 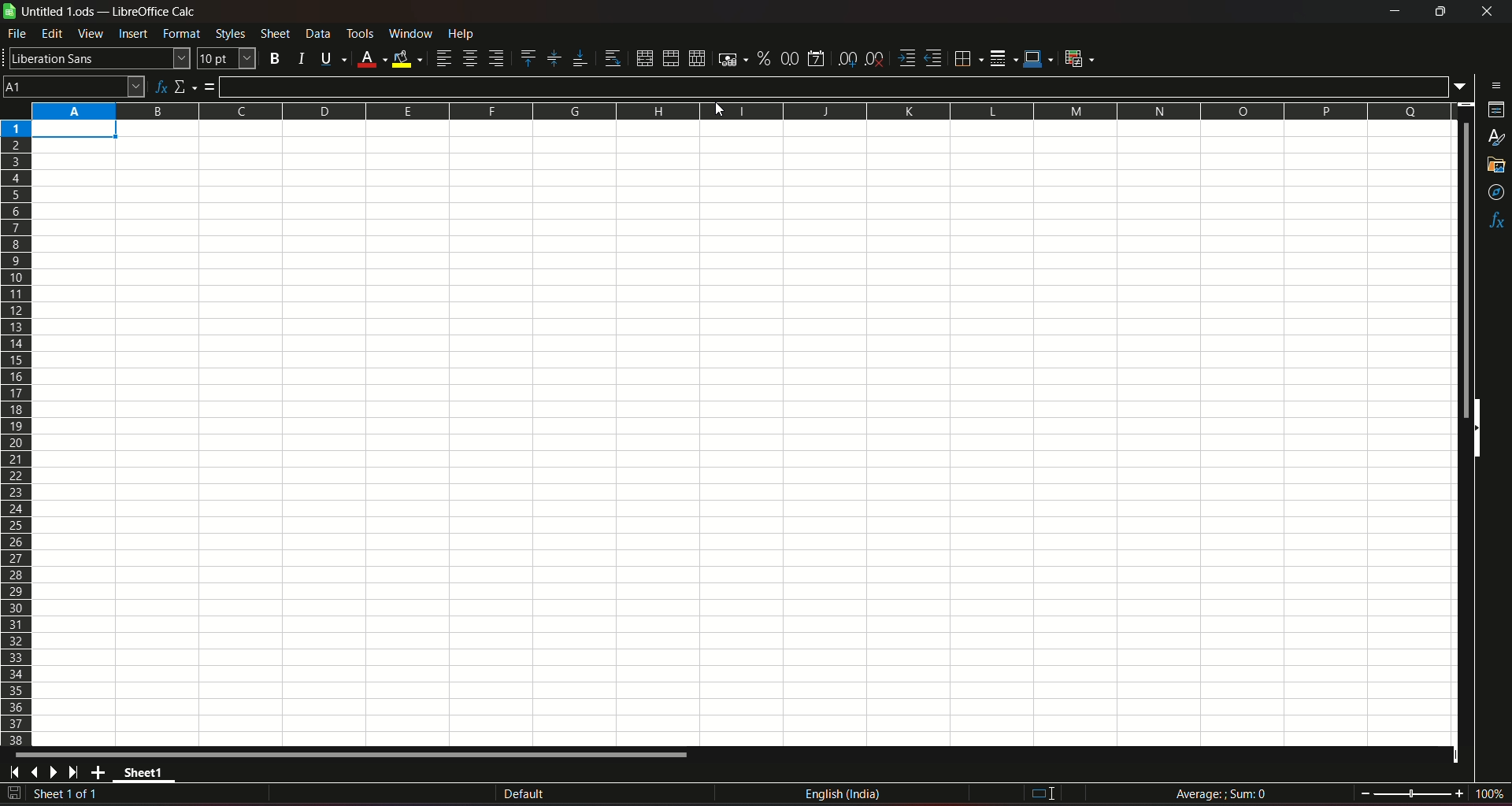 What do you see at coordinates (17, 772) in the screenshot?
I see `first sheet` at bounding box center [17, 772].